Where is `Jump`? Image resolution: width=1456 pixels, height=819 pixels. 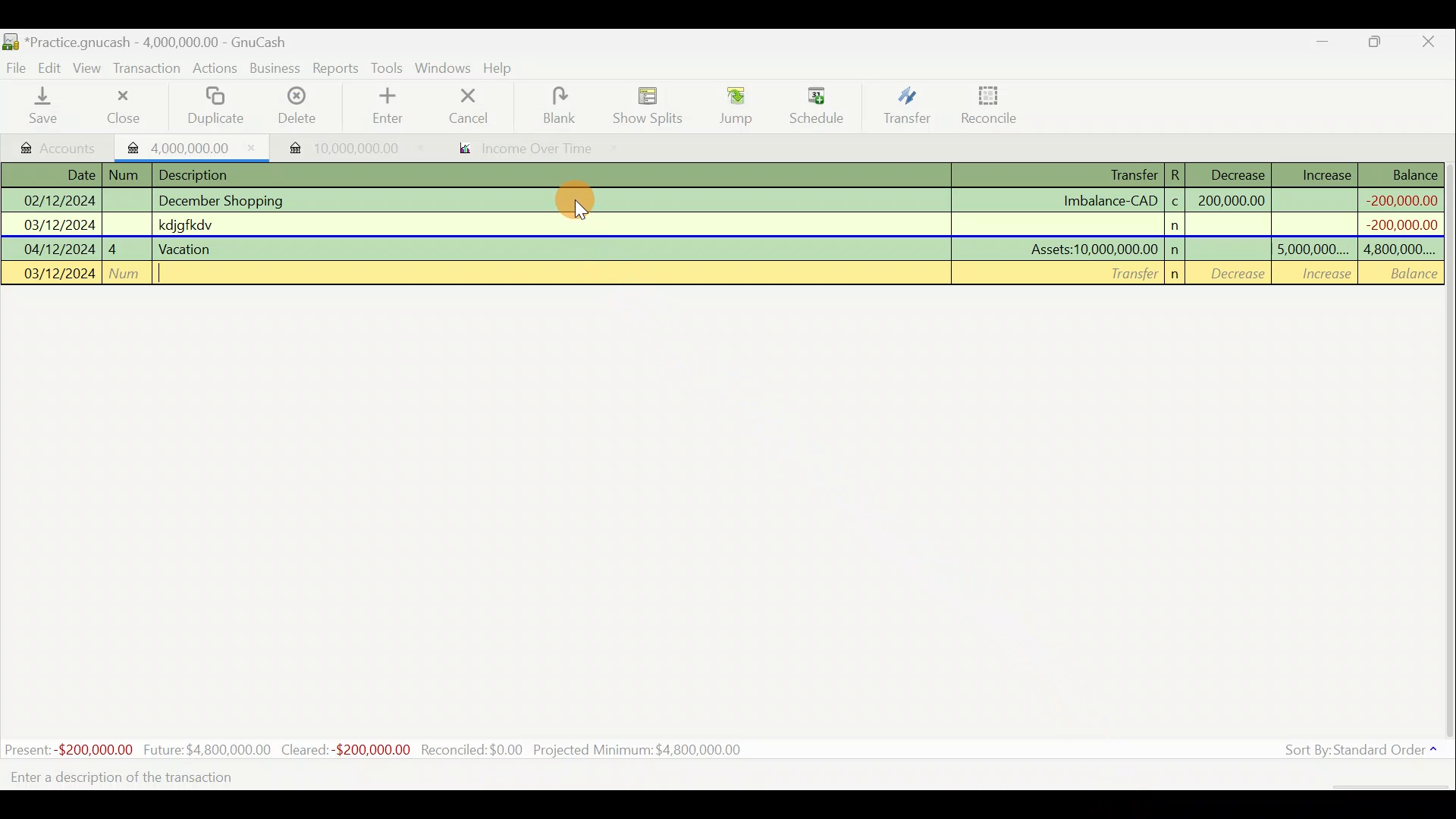
Jump is located at coordinates (731, 105).